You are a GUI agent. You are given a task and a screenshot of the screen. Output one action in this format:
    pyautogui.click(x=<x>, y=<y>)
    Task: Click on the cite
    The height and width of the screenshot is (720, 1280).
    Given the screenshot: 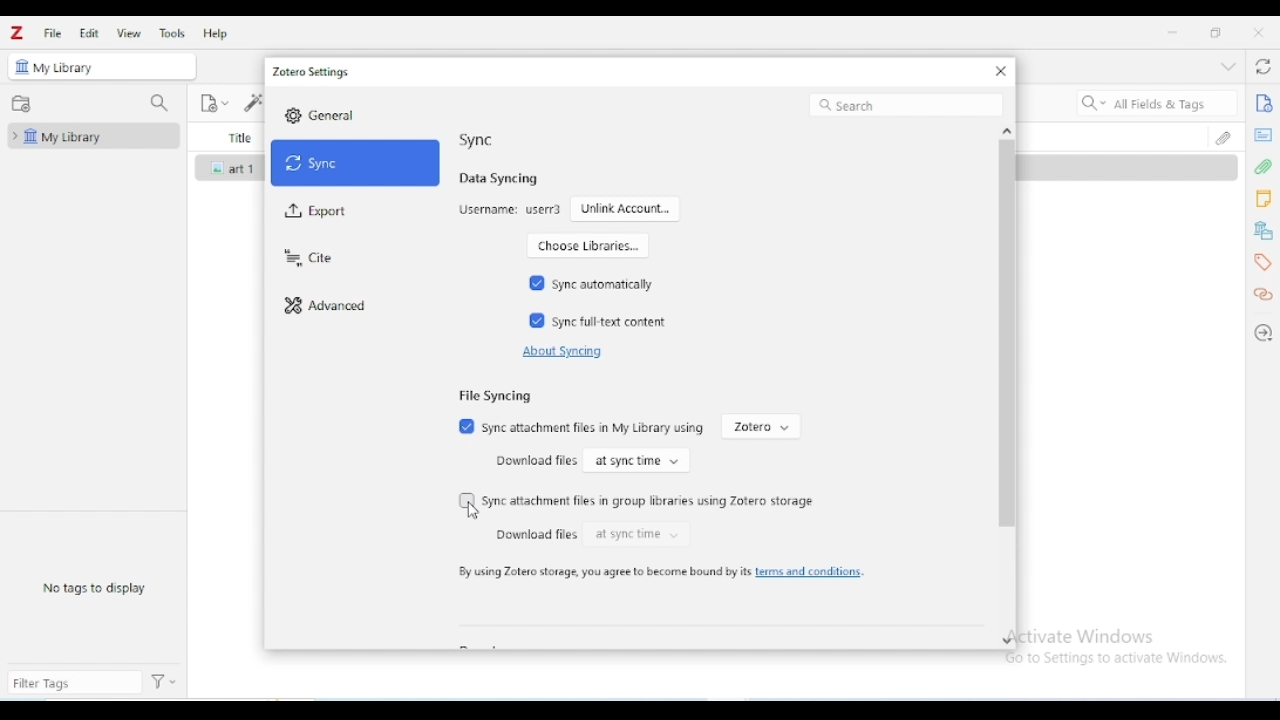 What is the action you would take?
    pyautogui.click(x=307, y=259)
    